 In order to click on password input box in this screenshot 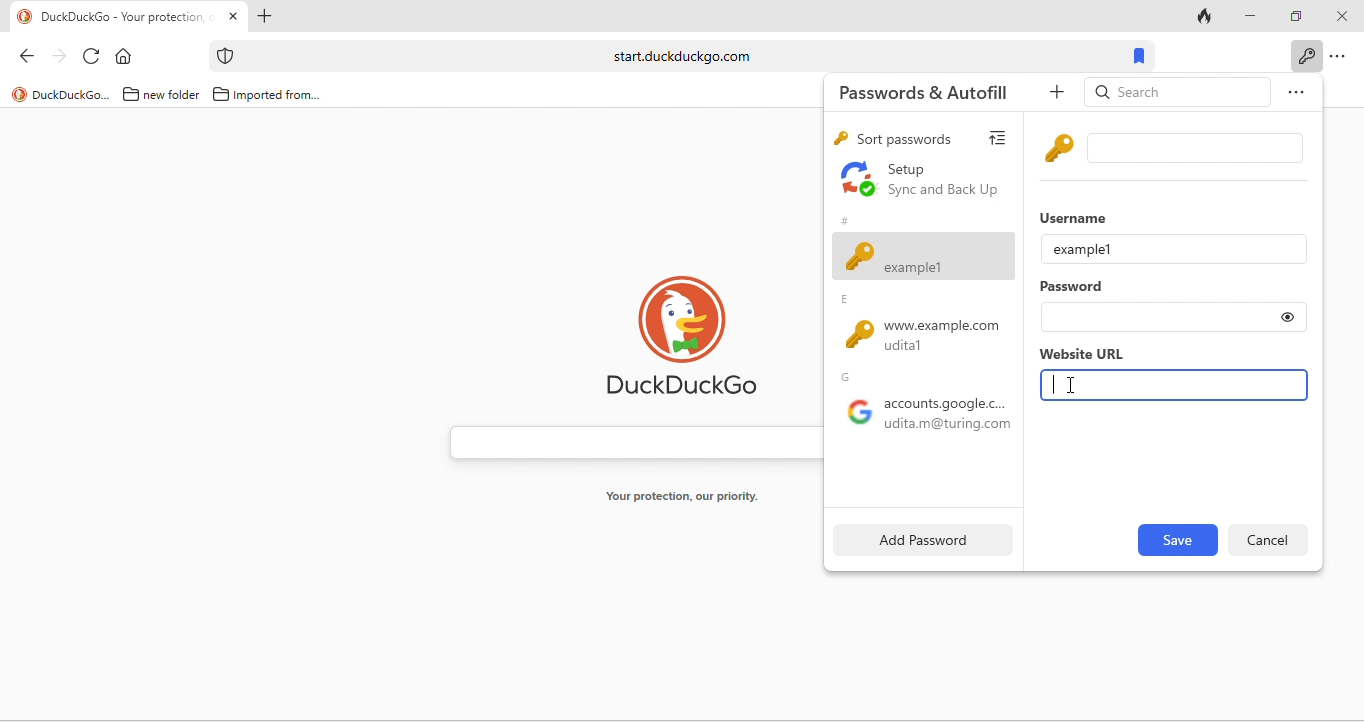, I will do `click(1155, 319)`.